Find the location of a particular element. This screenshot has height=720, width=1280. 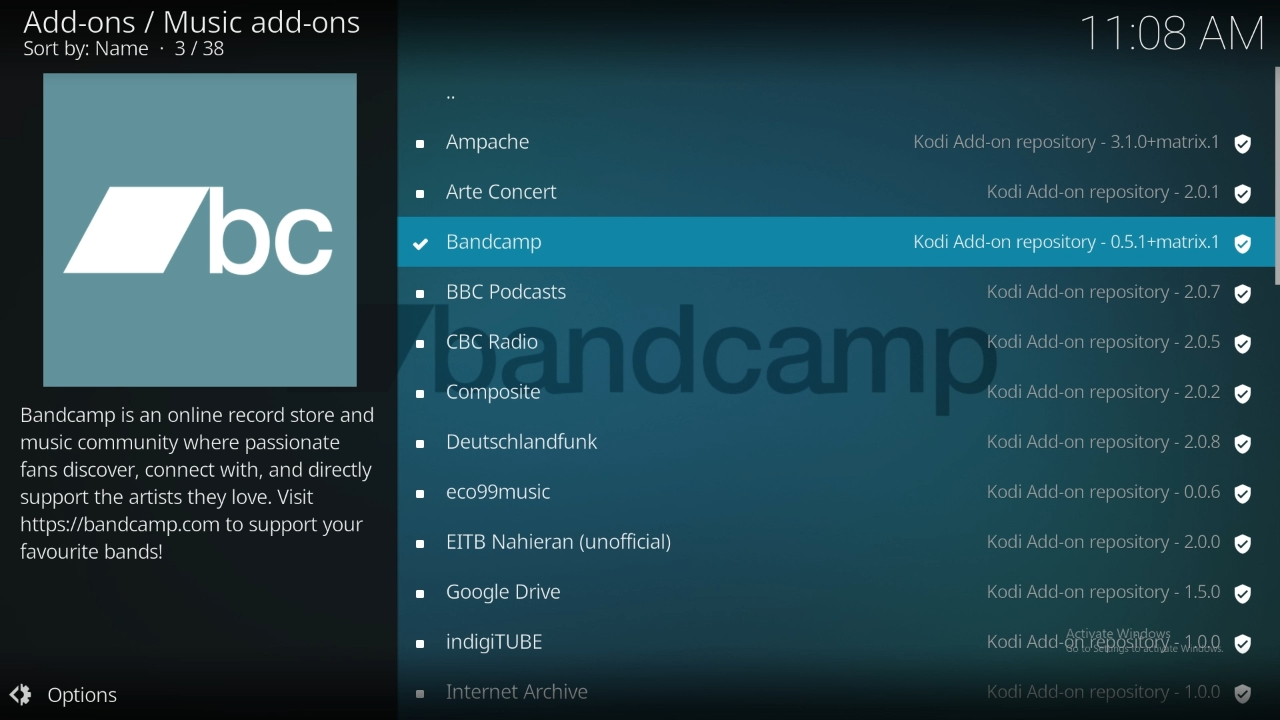

add on is located at coordinates (832, 643).